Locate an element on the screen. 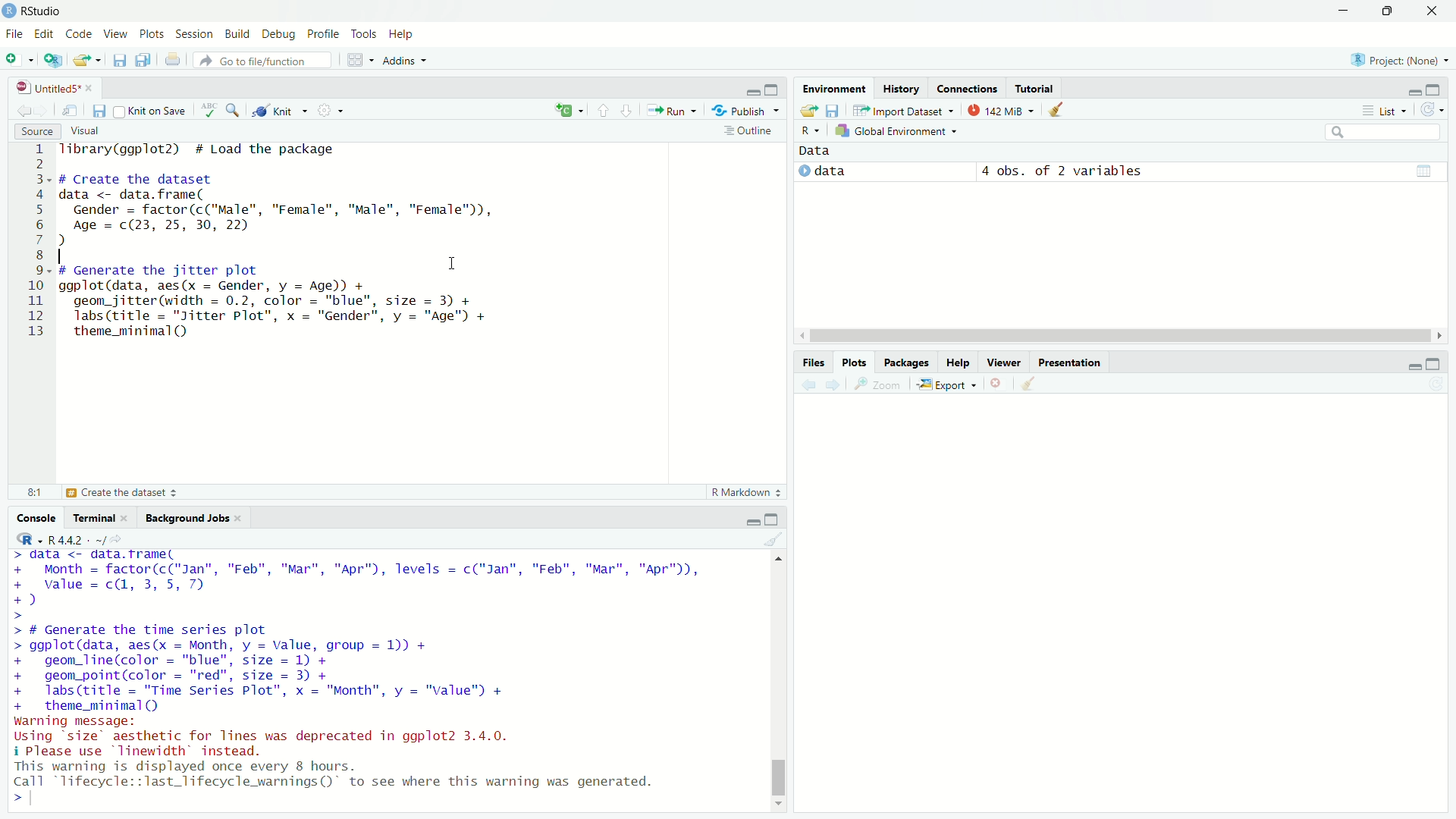  logo is located at coordinates (9, 11).